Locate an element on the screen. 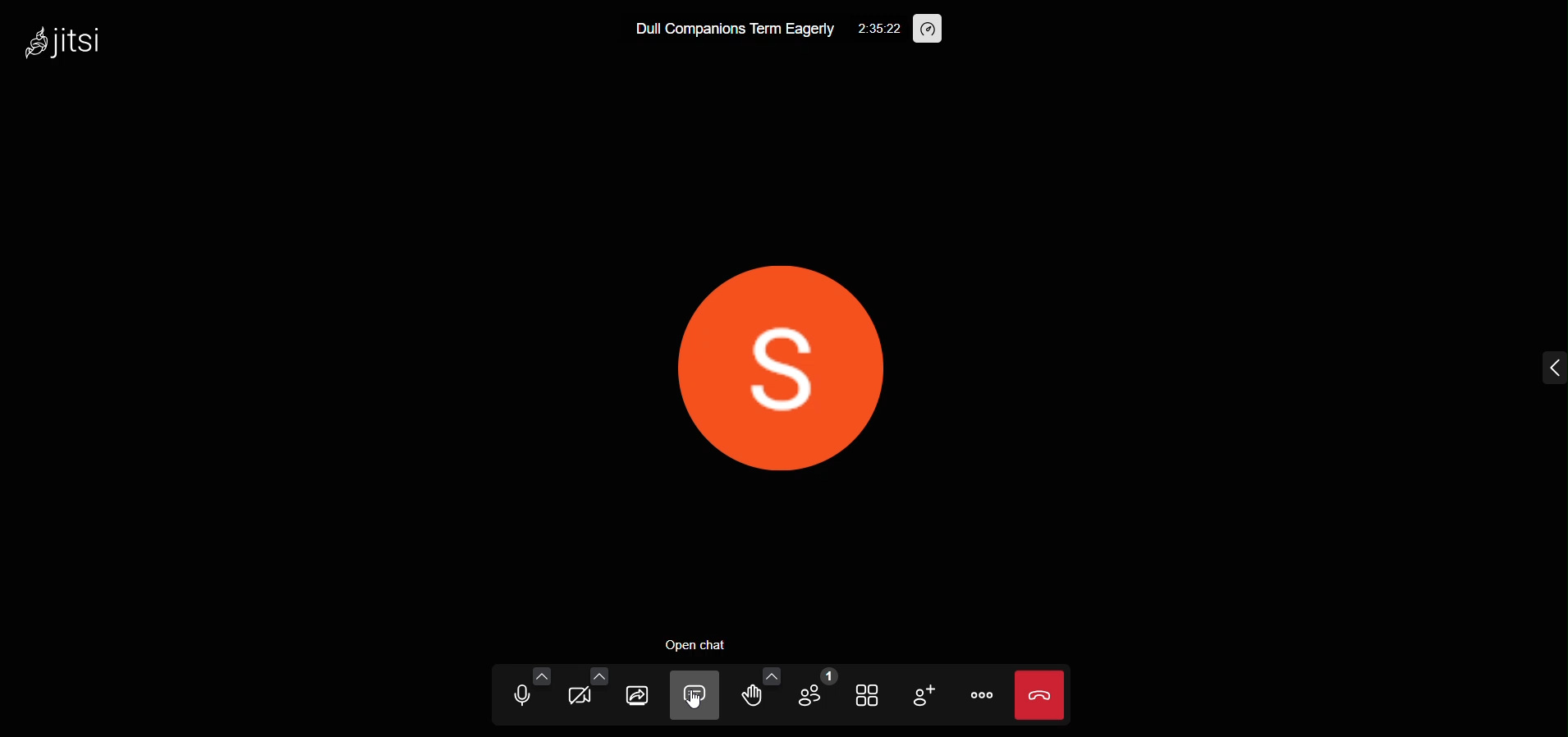 Image resolution: width=1568 pixels, height=737 pixels. screen share is located at coordinates (635, 695).